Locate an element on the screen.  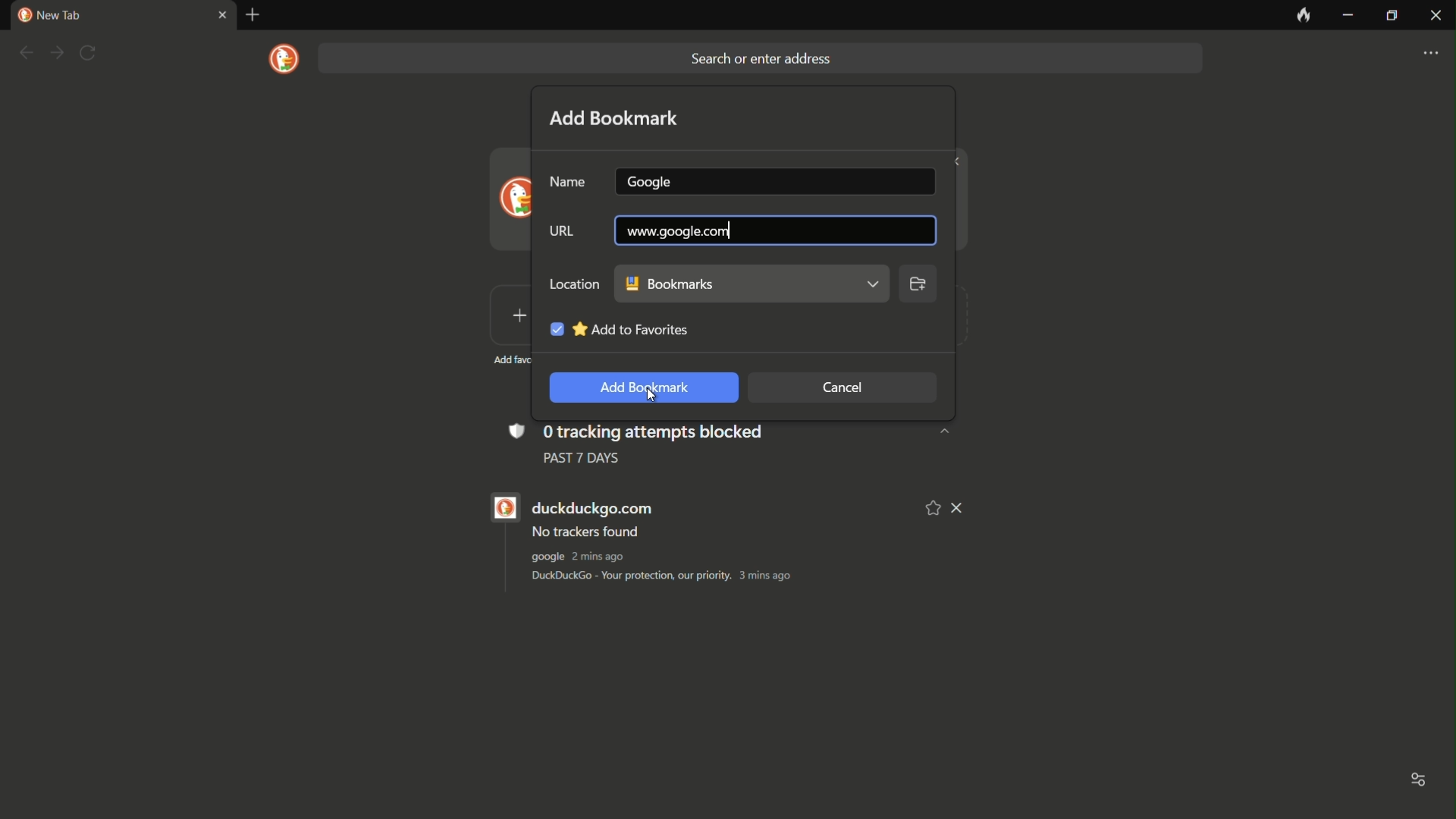
logo is located at coordinates (285, 59).